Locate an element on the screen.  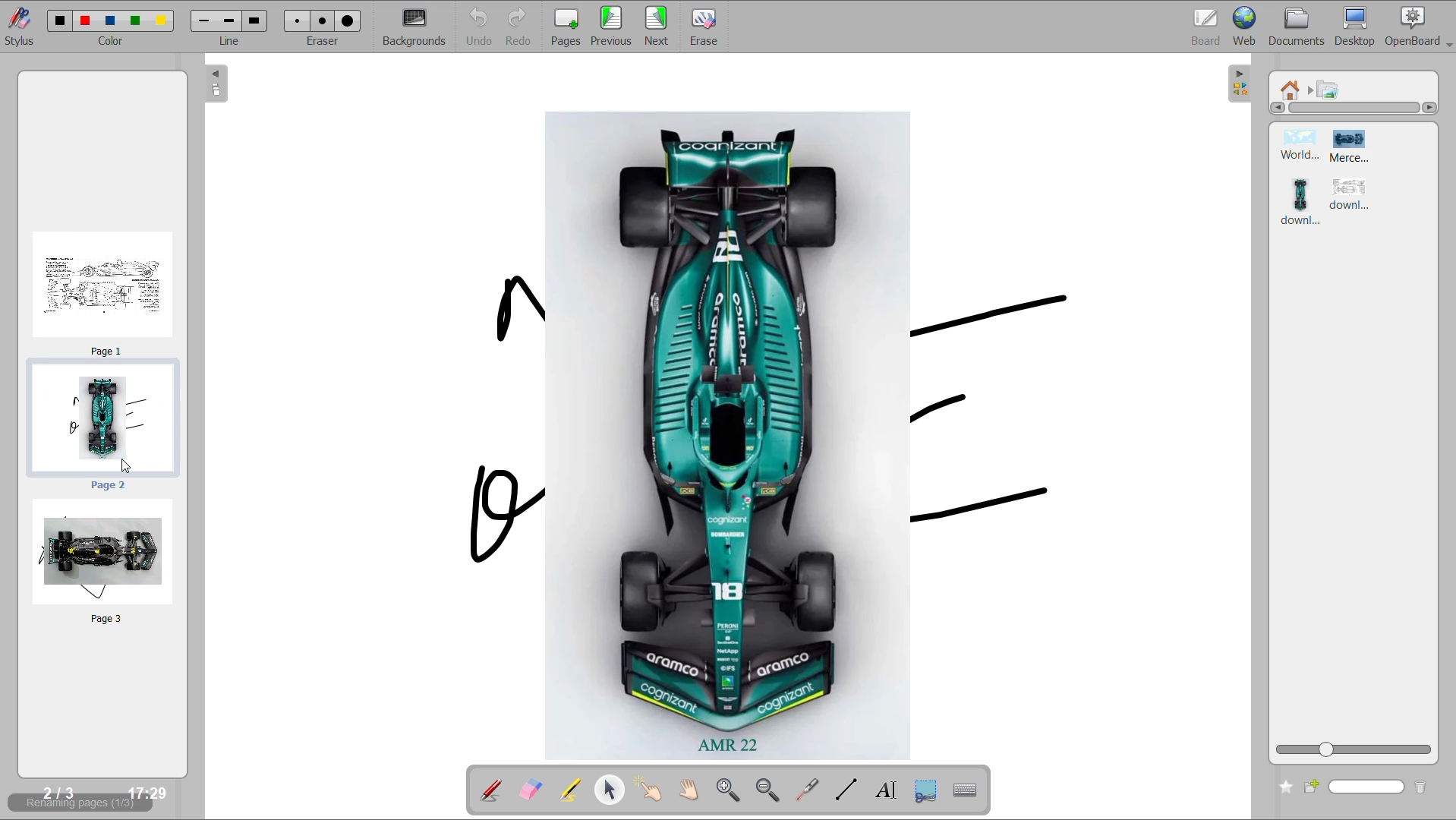
draw lines is located at coordinates (846, 789).